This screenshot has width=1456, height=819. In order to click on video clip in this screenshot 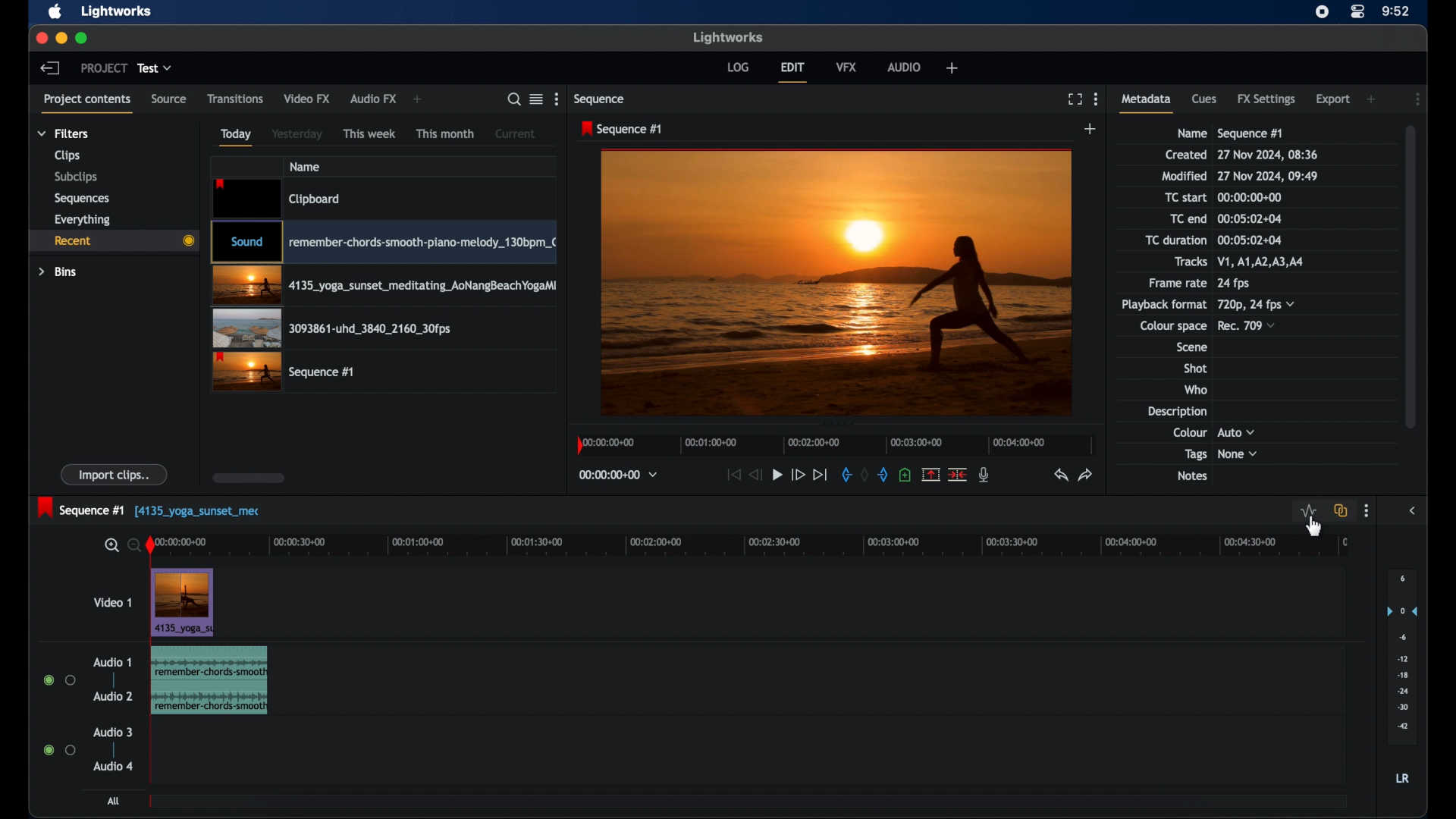, I will do `click(283, 372)`.